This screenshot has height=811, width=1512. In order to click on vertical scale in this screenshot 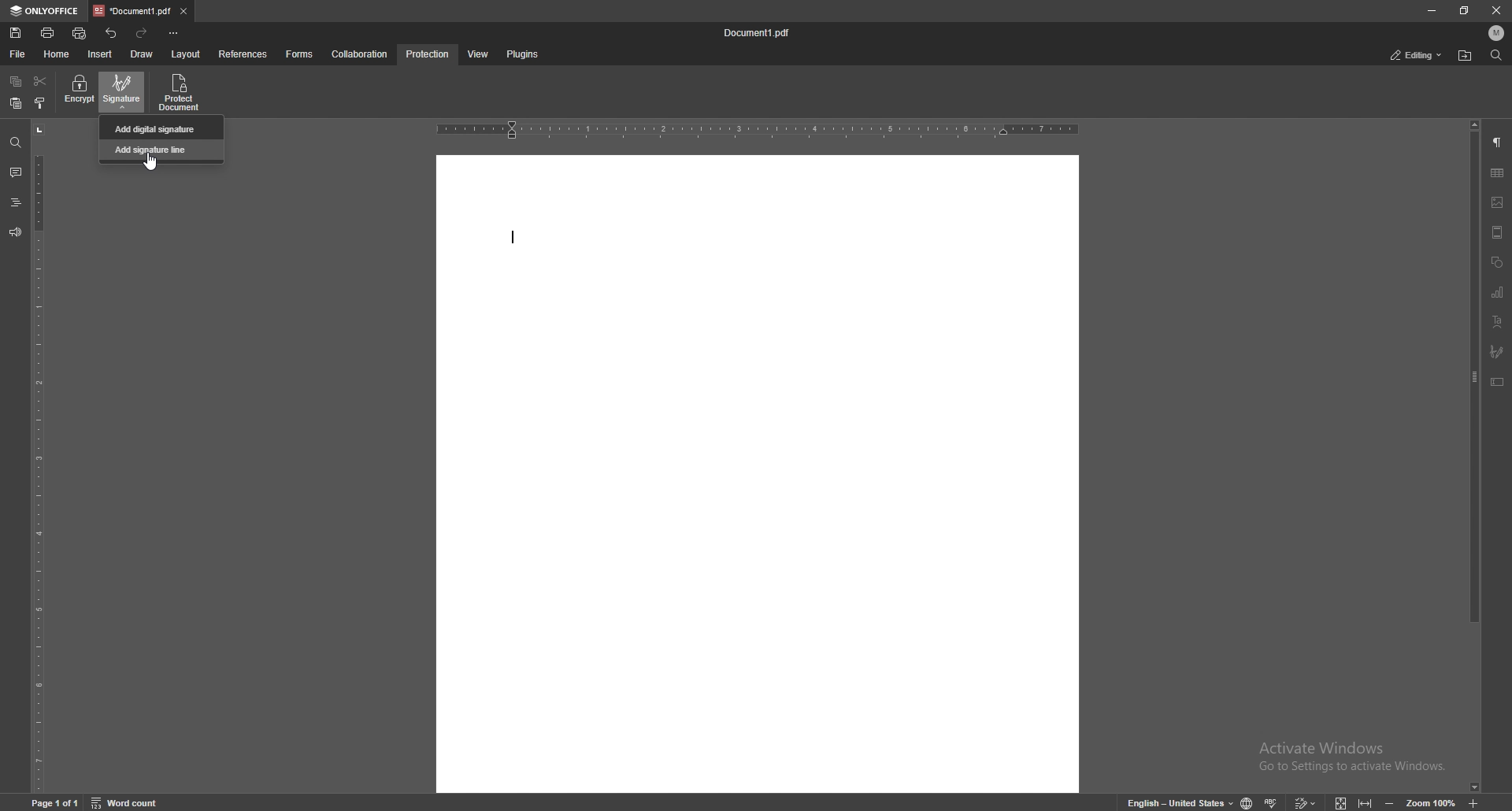, I will do `click(39, 457)`.